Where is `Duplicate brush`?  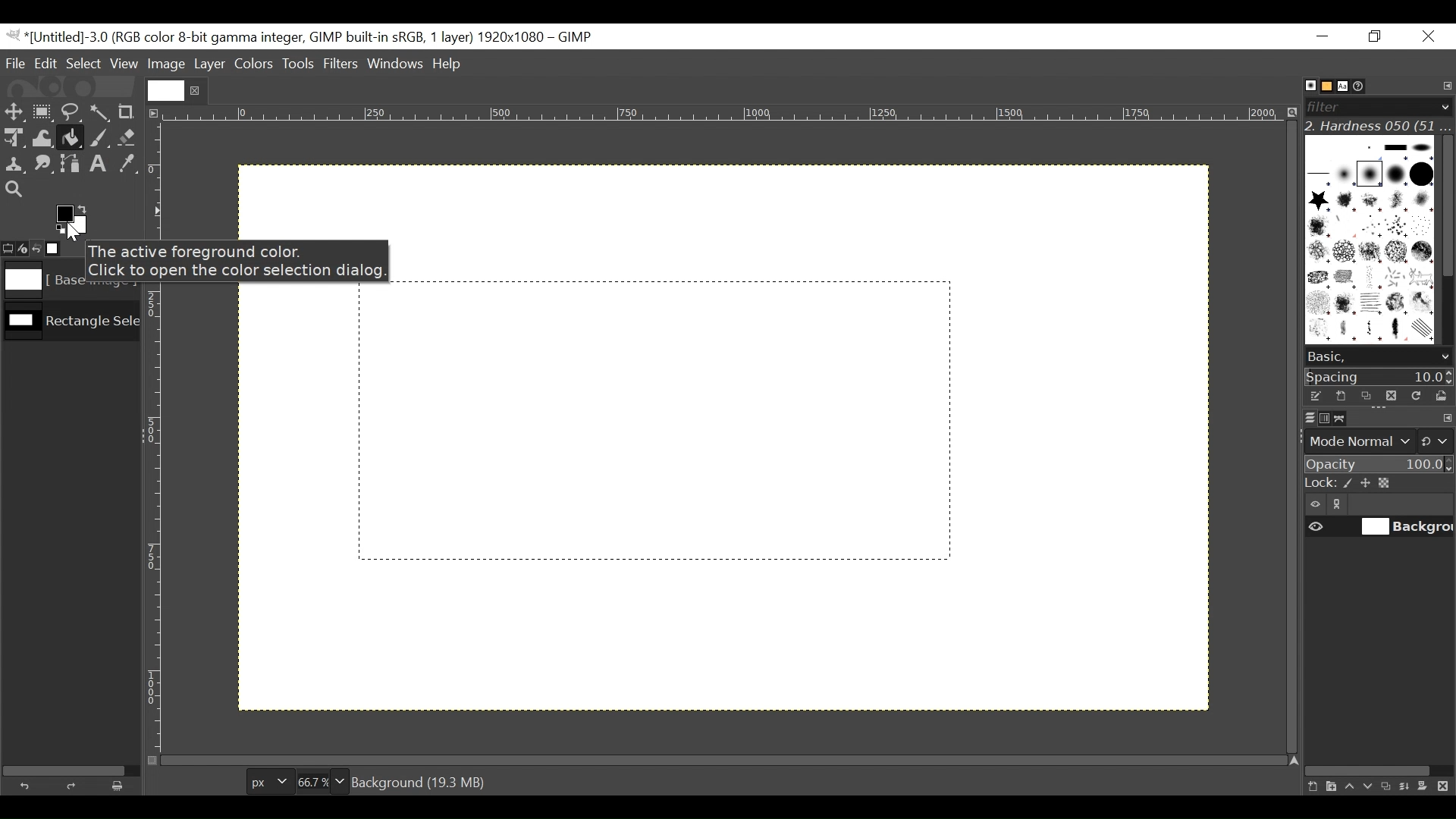
Duplicate brush is located at coordinates (1390, 395).